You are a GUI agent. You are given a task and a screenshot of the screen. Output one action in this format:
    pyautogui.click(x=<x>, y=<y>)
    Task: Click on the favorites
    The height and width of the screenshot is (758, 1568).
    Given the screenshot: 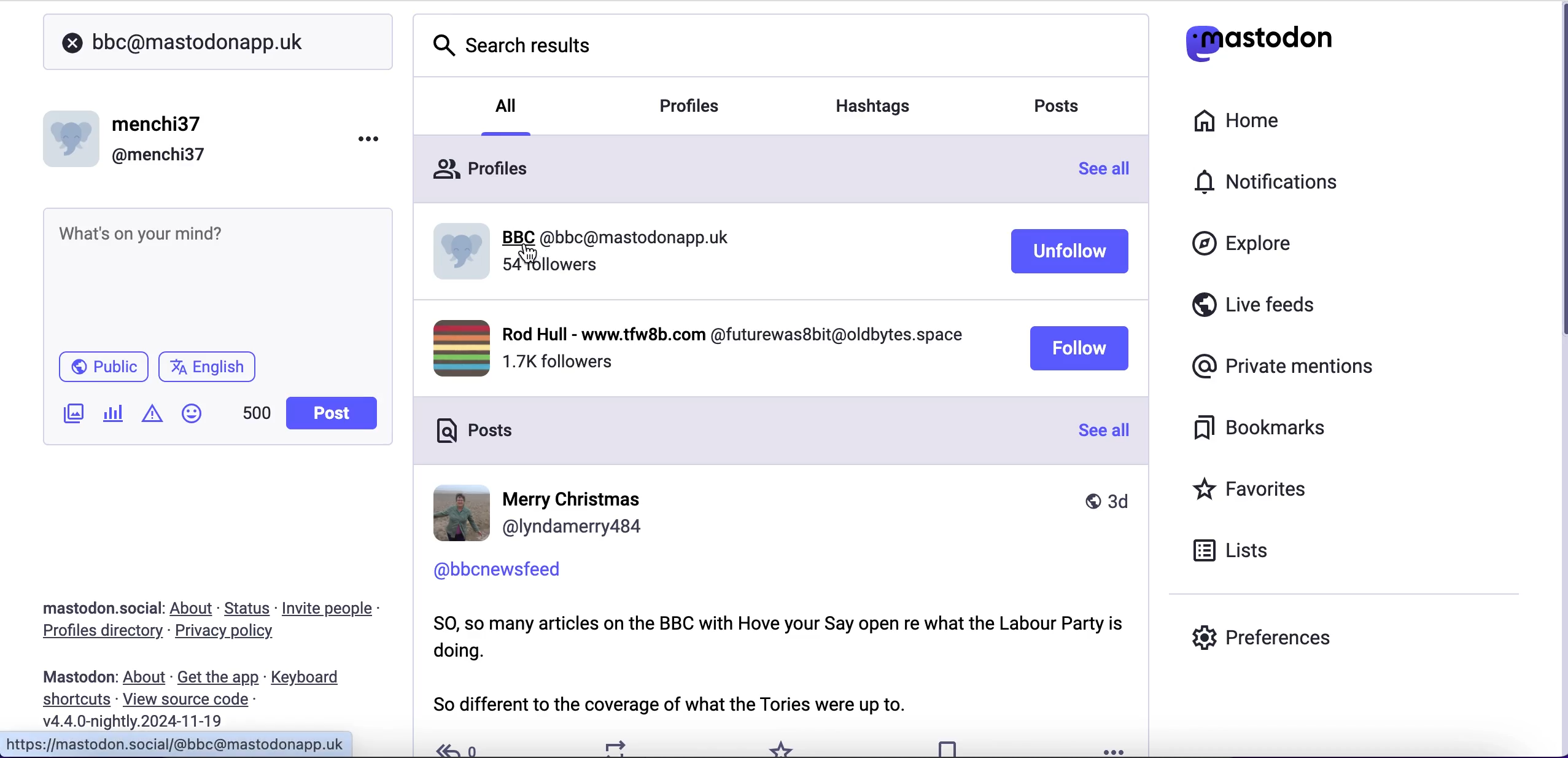 What is the action you would take?
    pyautogui.click(x=787, y=747)
    